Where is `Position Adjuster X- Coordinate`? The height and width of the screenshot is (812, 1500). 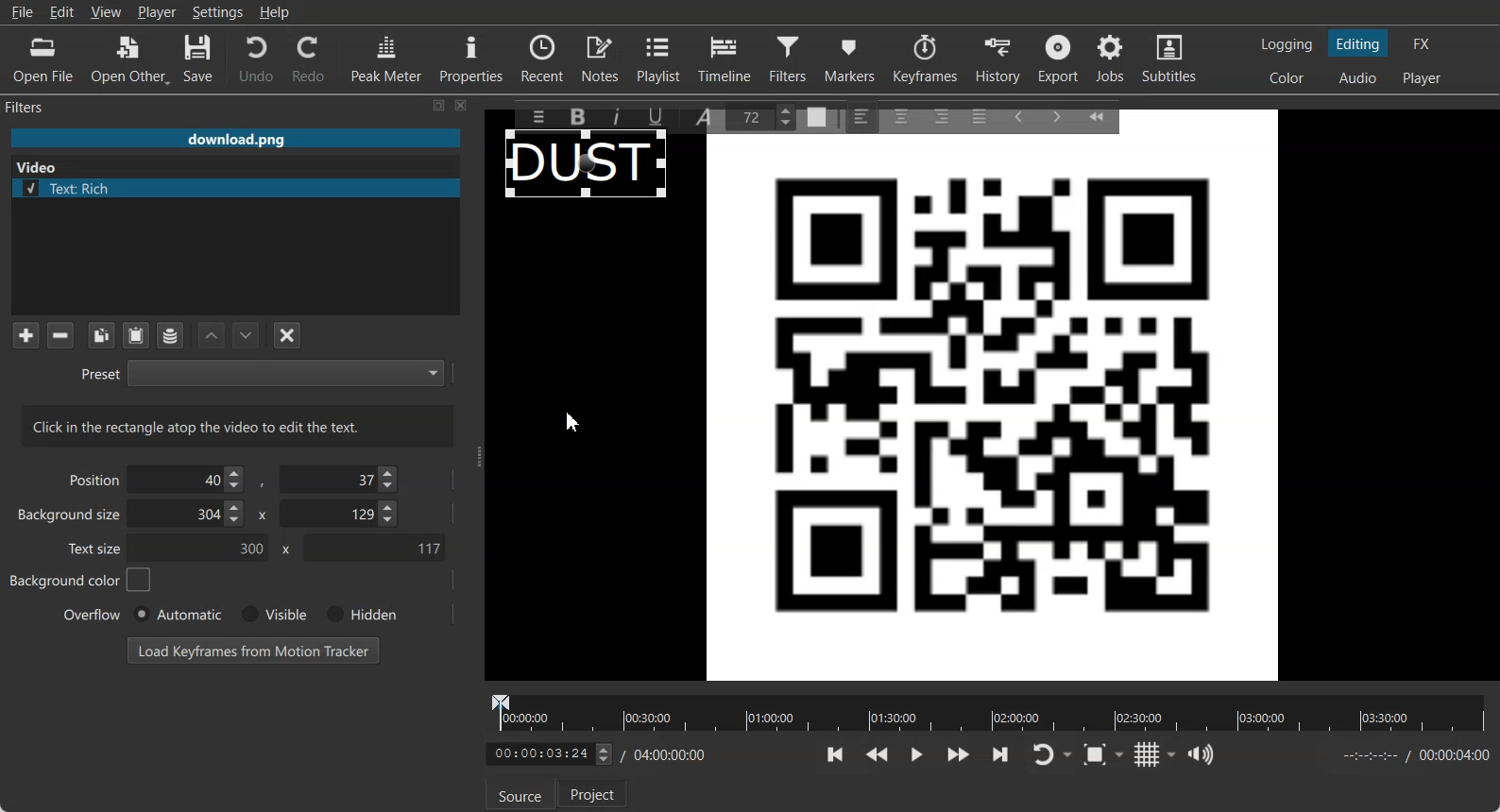
Position Adjuster X- Coordinate is located at coordinates (191, 480).